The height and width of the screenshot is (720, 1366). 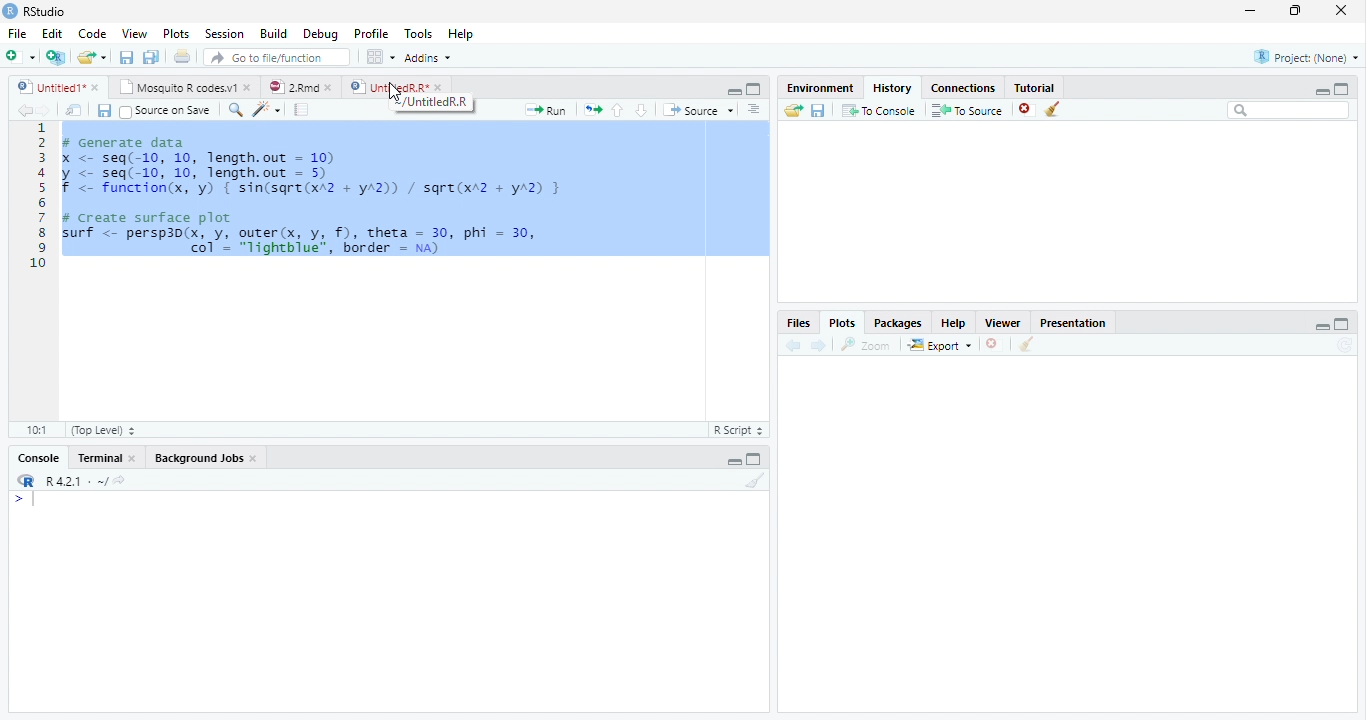 What do you see at coordinates (277, 56) in the screenshot?
I see `Go to file/function` at bounding box center [277, 56].